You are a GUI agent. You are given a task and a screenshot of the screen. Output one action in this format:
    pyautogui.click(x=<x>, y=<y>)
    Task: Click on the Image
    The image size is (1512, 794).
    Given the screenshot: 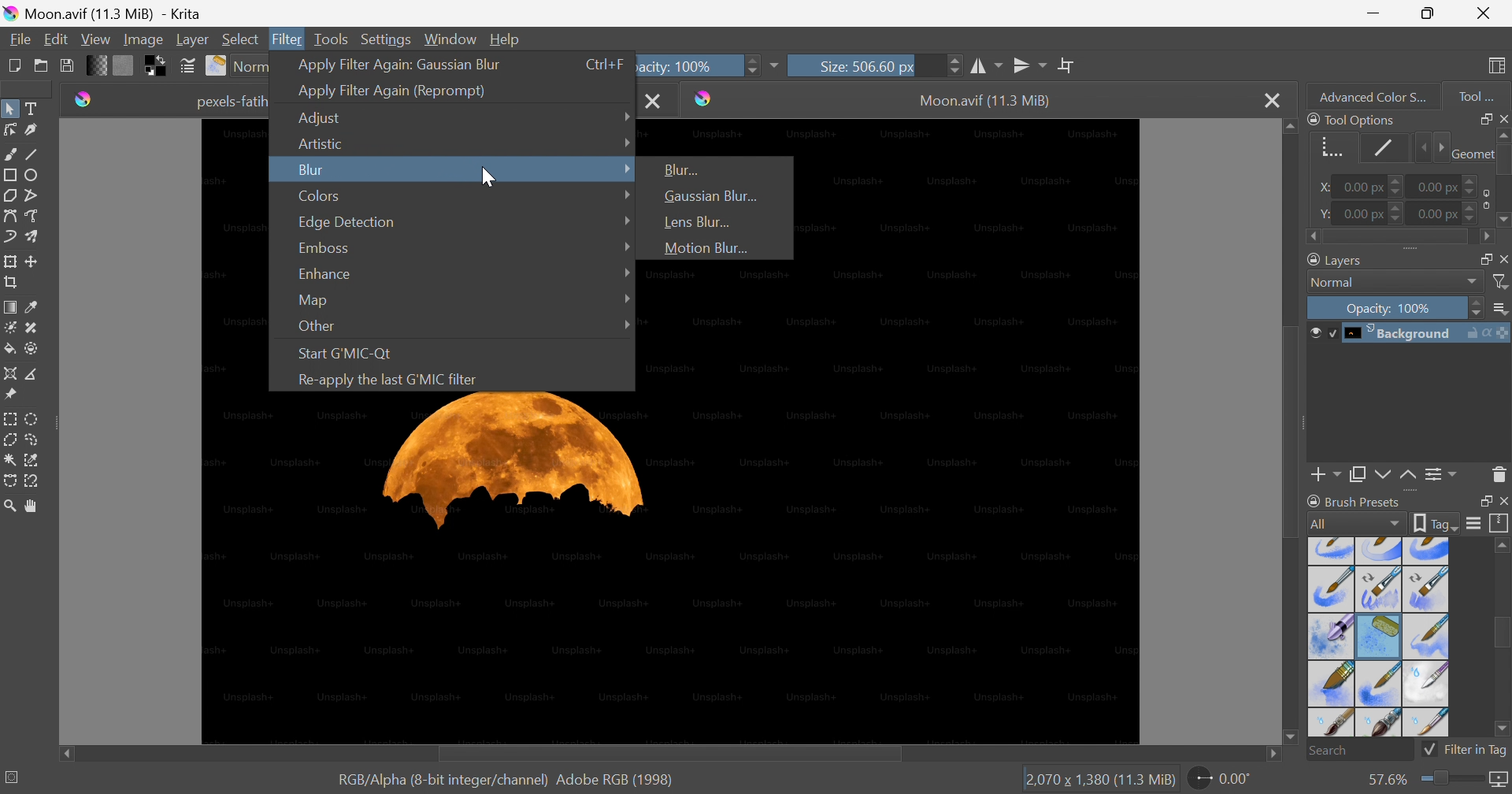 What is the action you would take?
    pyautogui.click(x=142, y=40)
    